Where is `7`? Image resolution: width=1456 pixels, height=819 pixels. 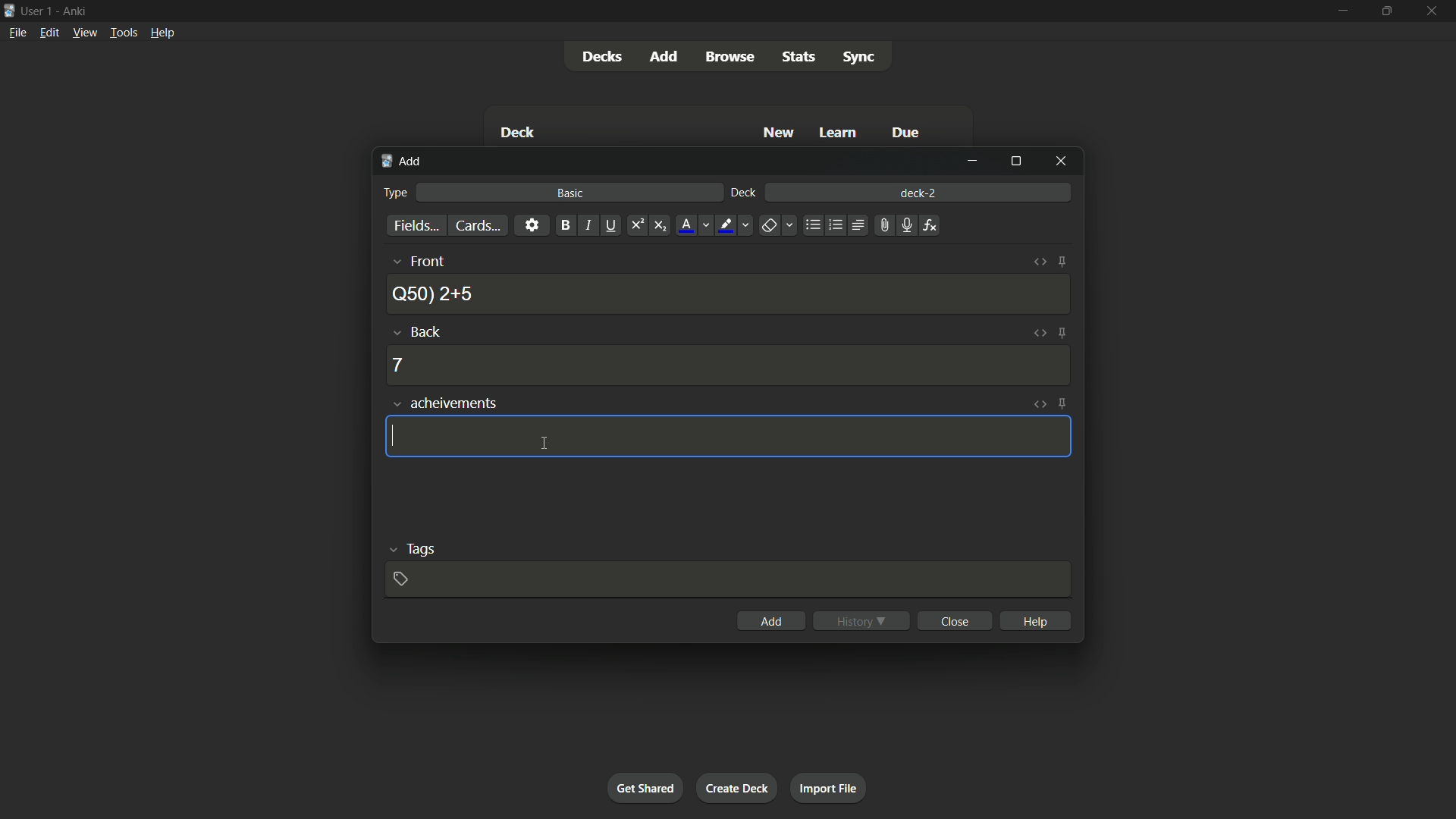
7 is located at coordinates (401, 365).